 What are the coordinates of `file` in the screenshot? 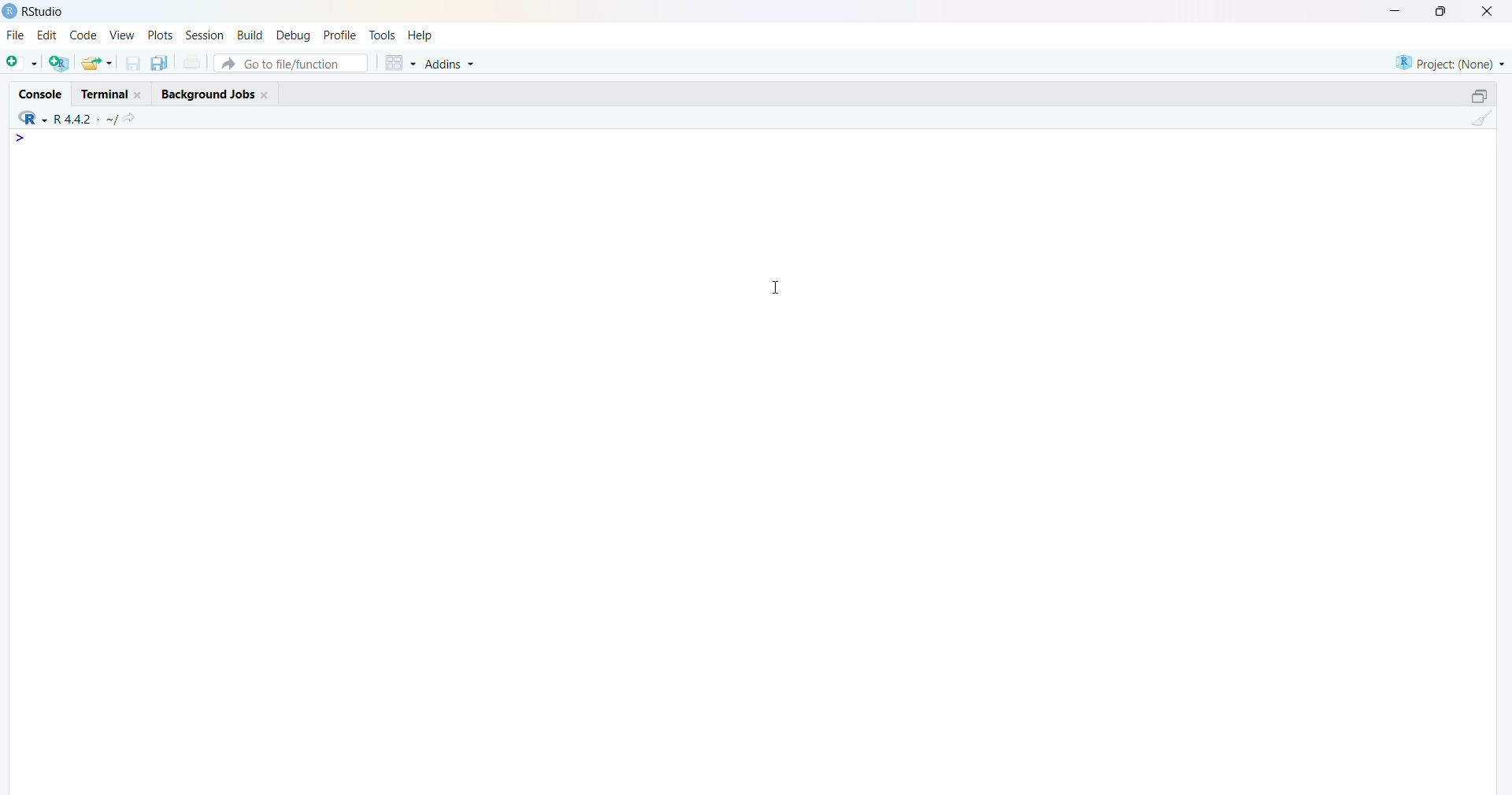 It's located at (17, 34).